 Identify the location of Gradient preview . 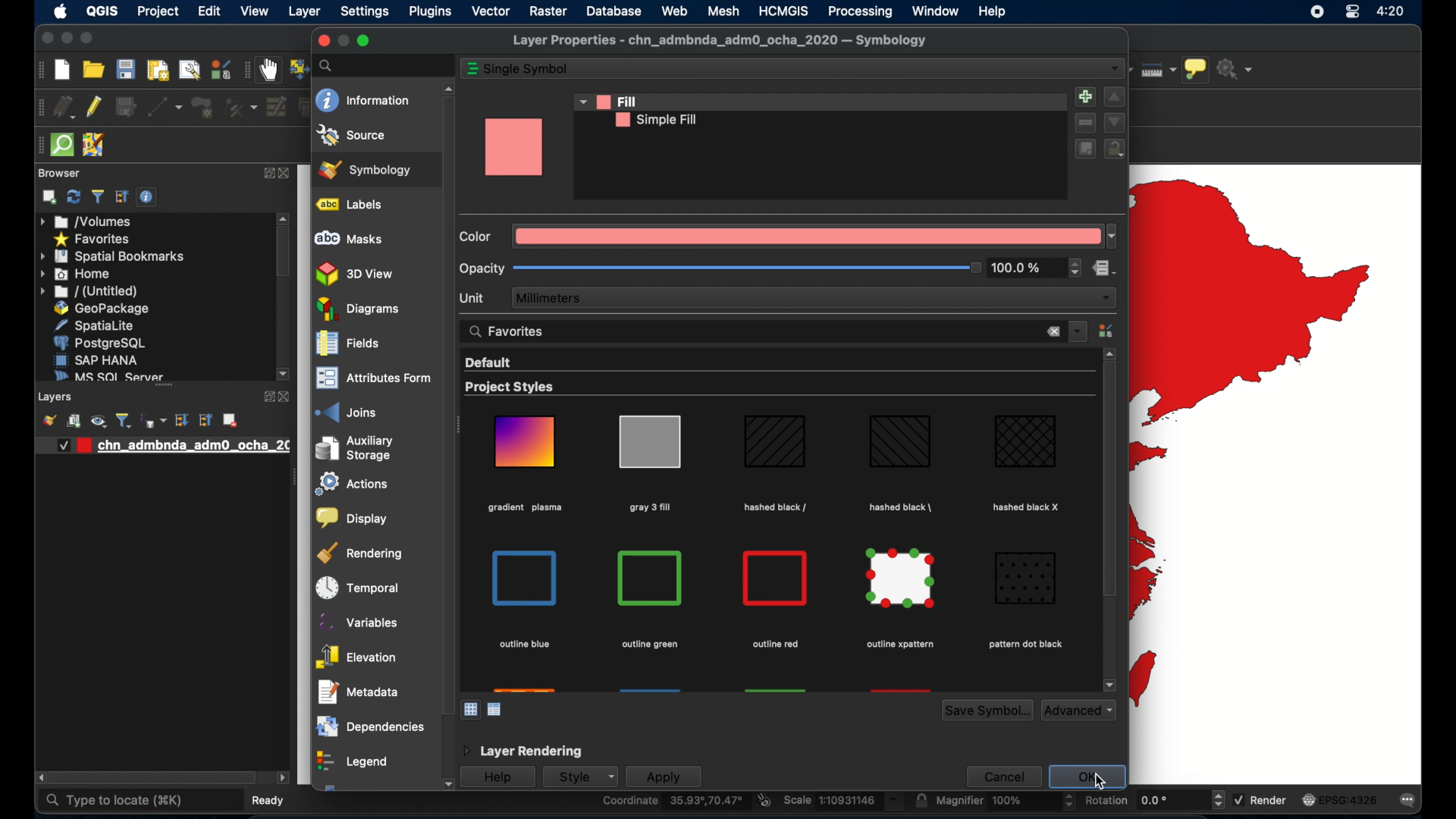
(902, 579).